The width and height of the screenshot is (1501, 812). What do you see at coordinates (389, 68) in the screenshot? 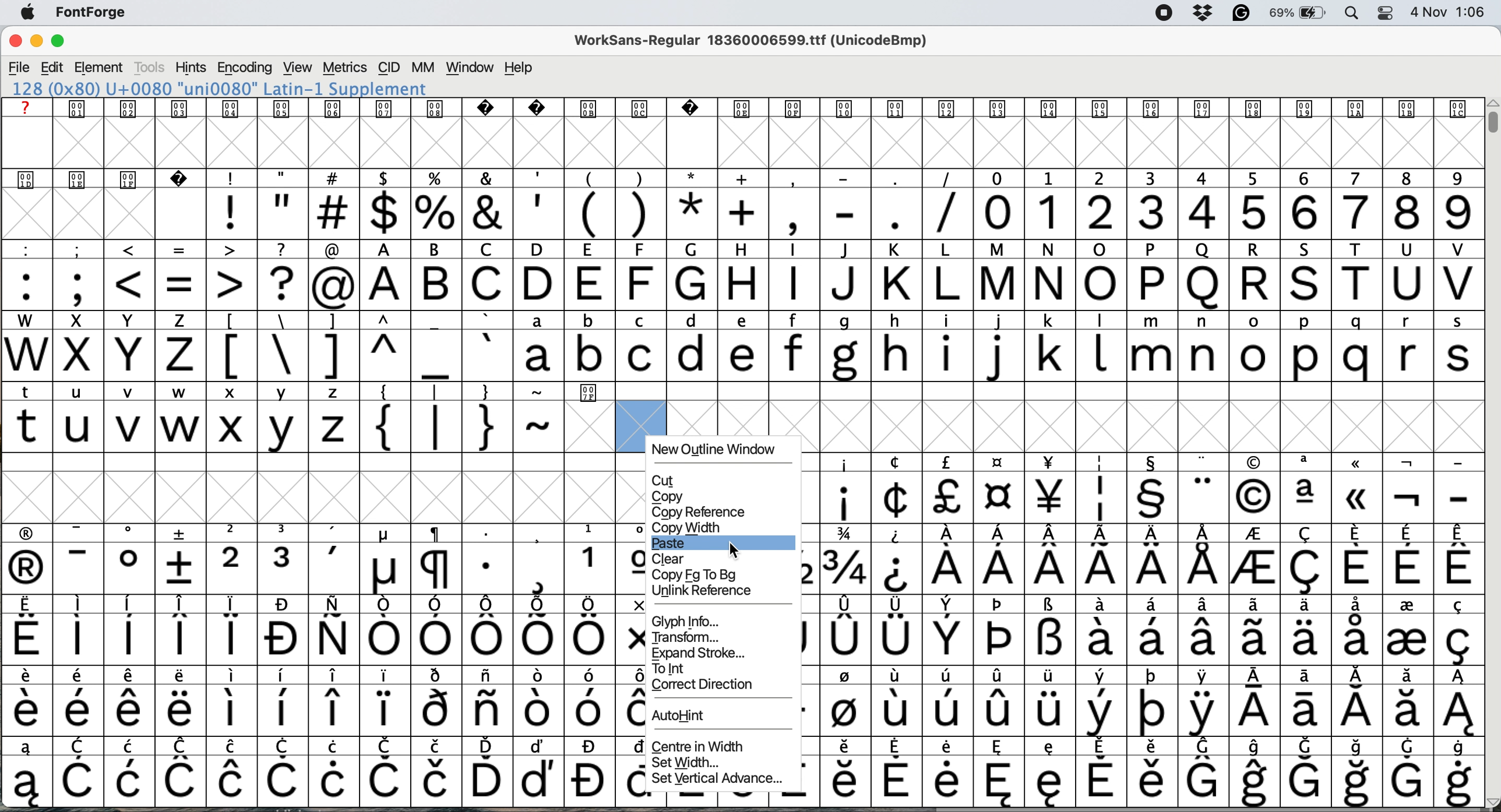
I see `cid` at bounding box center [389, 68].